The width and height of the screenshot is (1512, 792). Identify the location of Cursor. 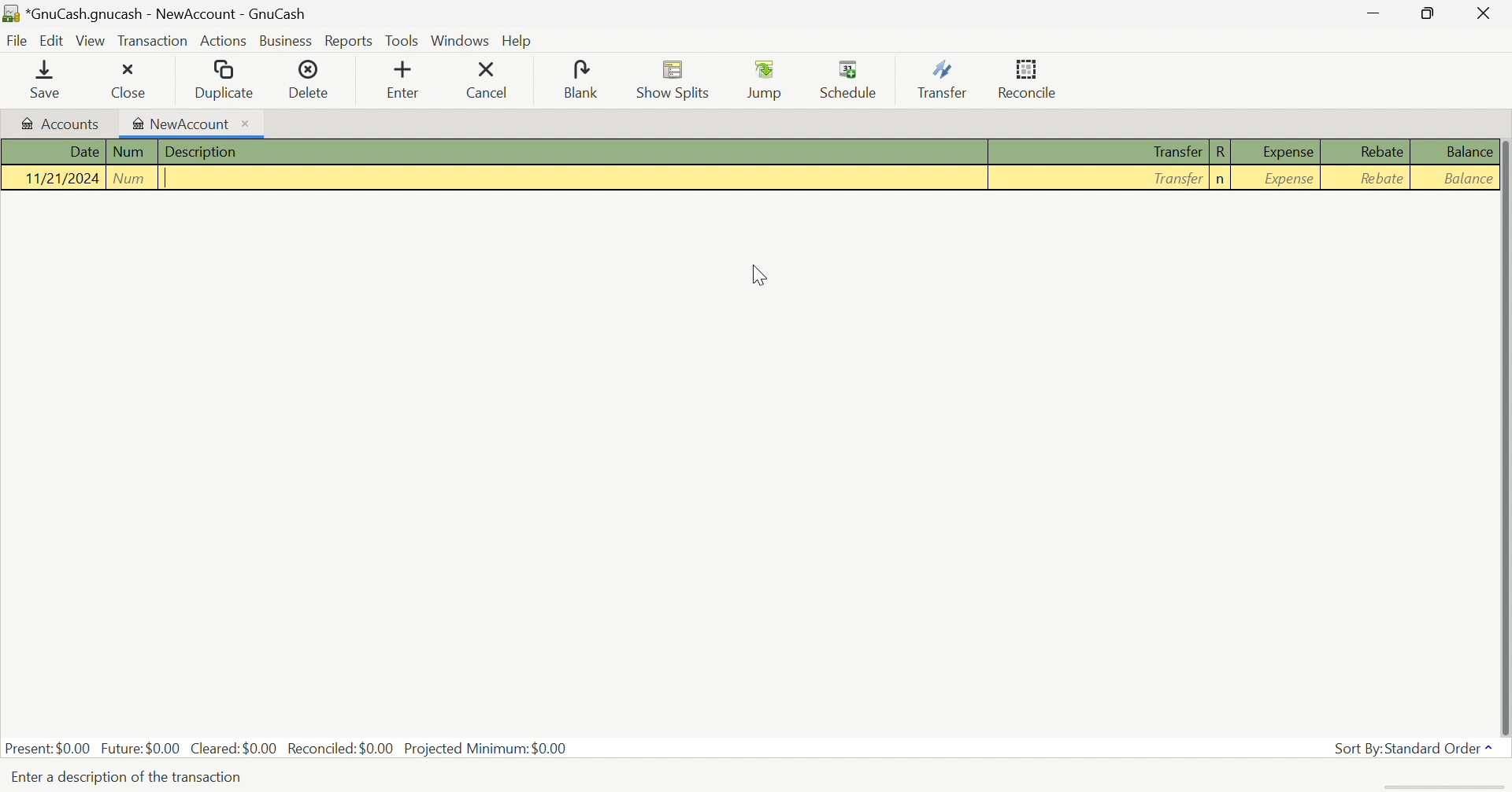
(758, 276).